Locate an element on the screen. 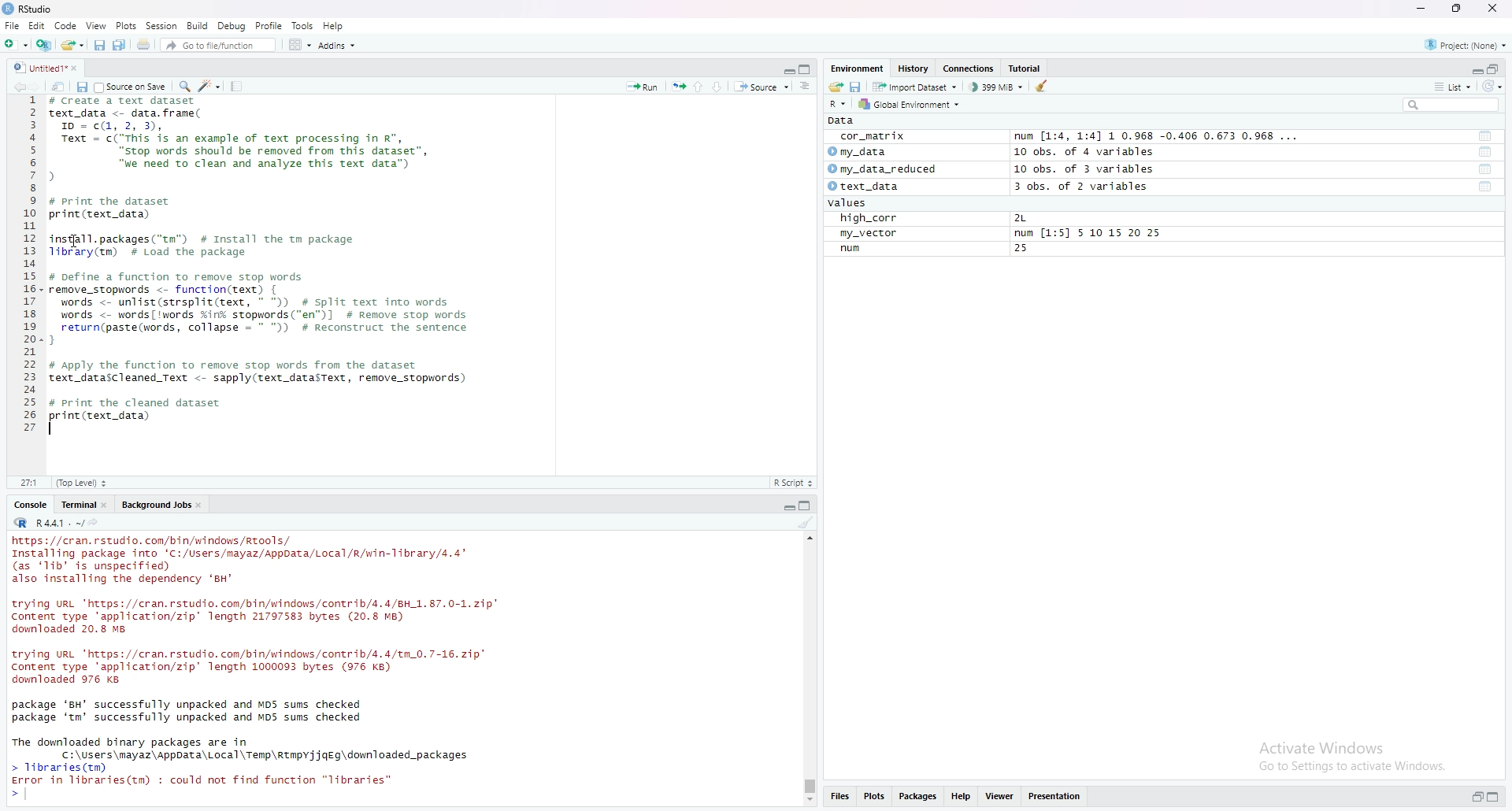 The height and width of the screenshot is (811, 1512). view the current working directory is located at coordinates (97, 524).